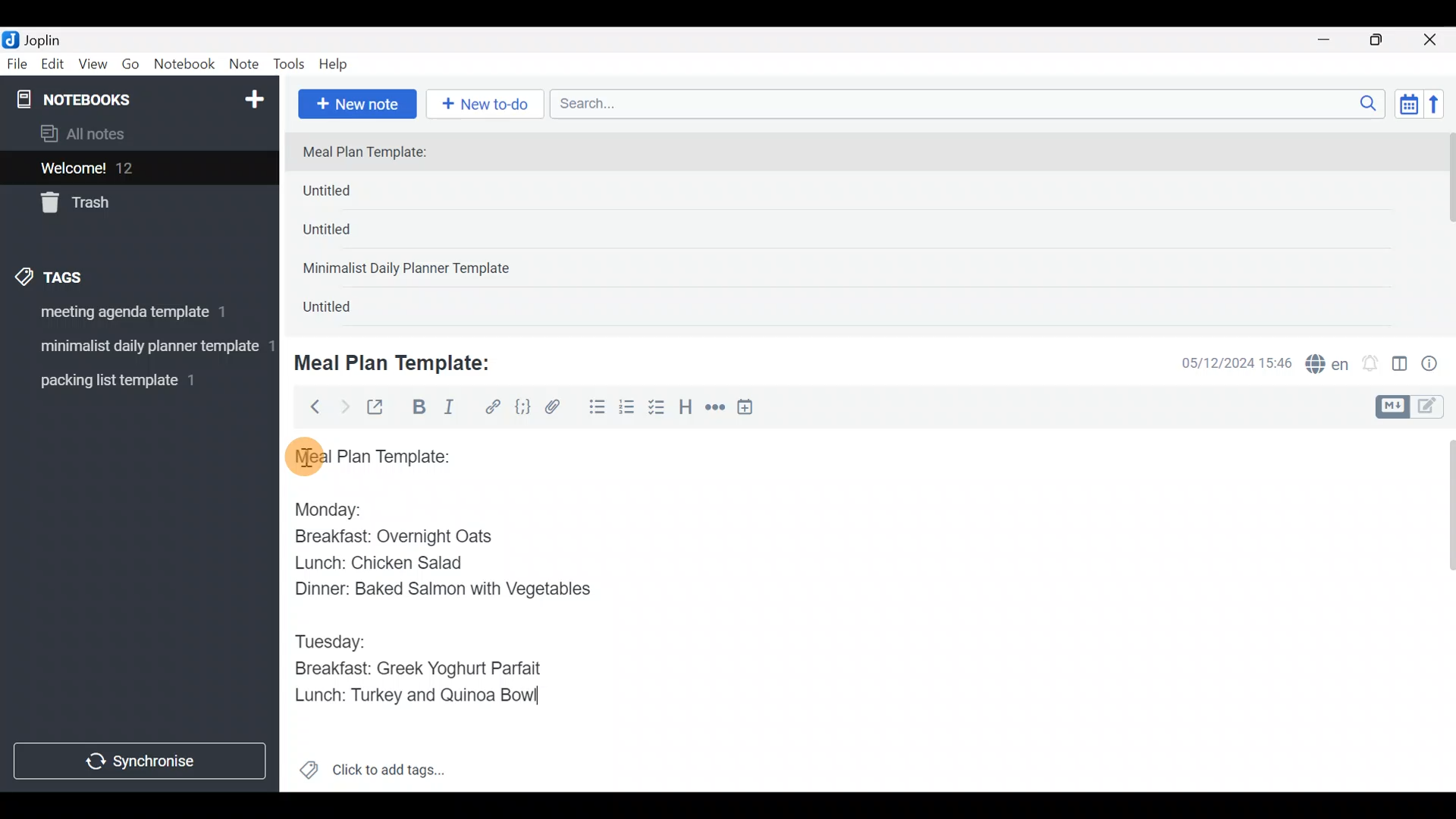 The image size is (1456, 819). Describe the element at coordinates (374, 153) in the screenshot. I see `Meal Plan Template:` at that location.